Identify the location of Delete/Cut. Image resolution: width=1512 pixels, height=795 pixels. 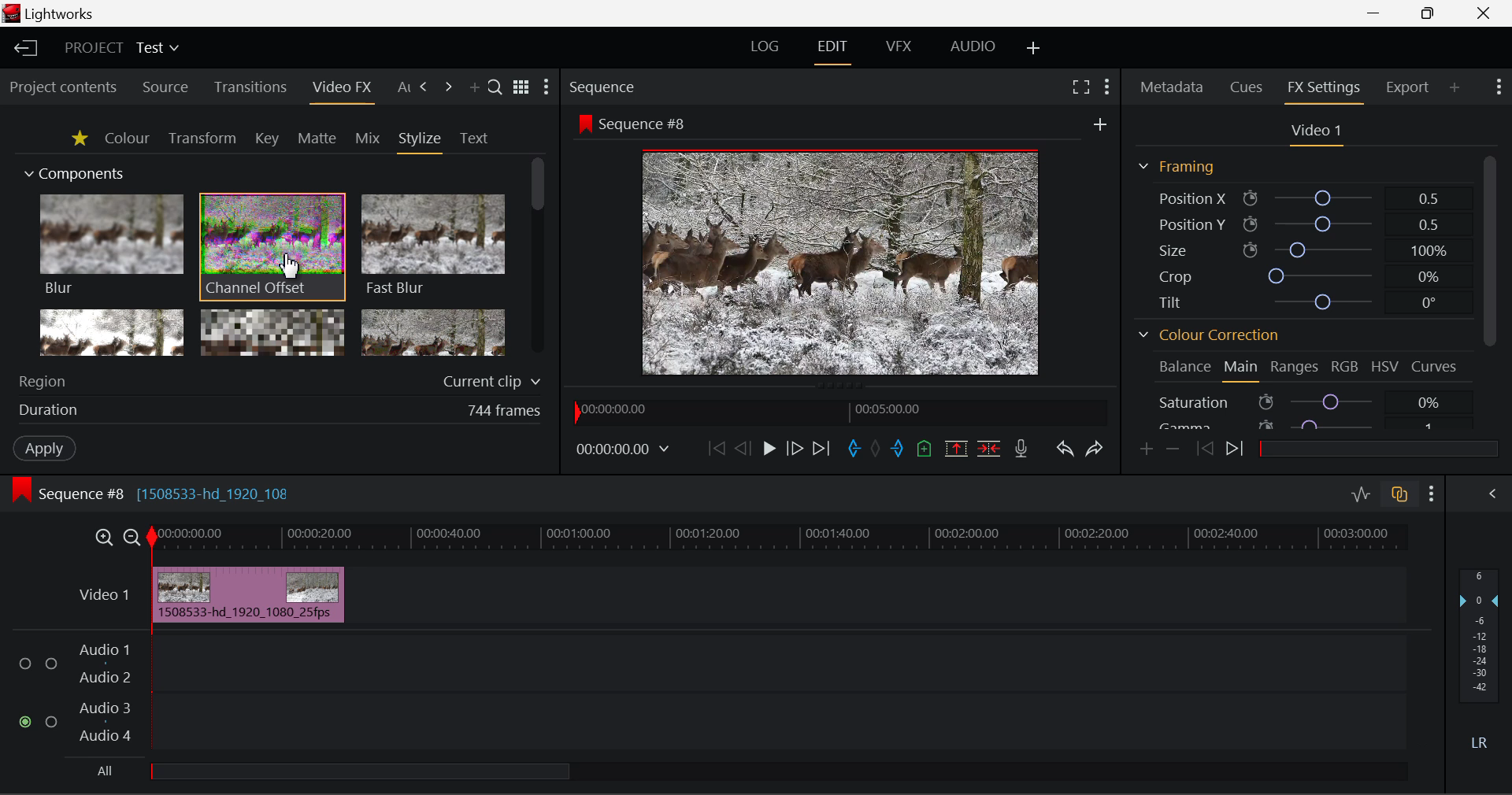
(991, 449).